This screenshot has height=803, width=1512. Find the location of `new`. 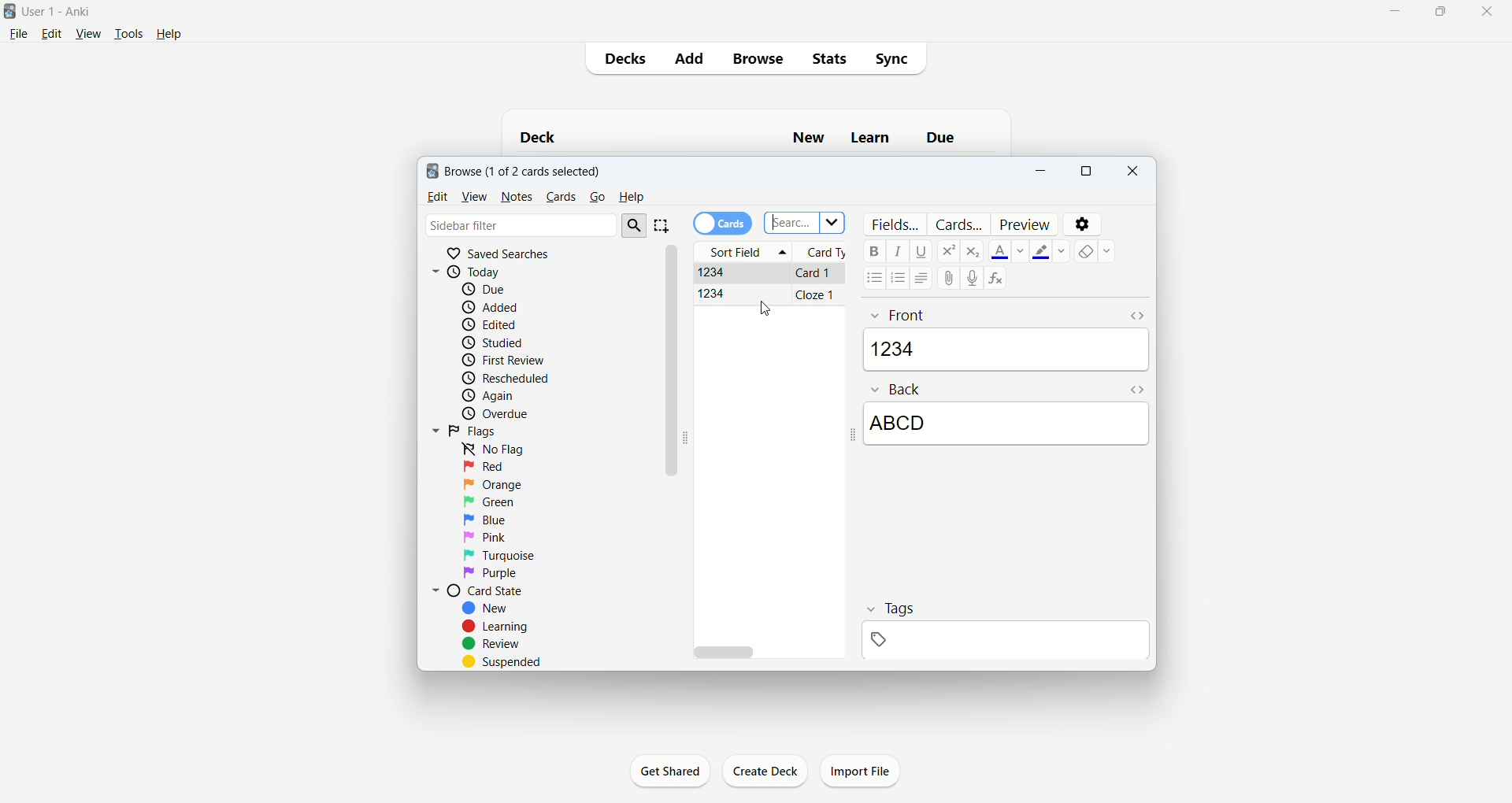

new is located at coordinates (489, 608).